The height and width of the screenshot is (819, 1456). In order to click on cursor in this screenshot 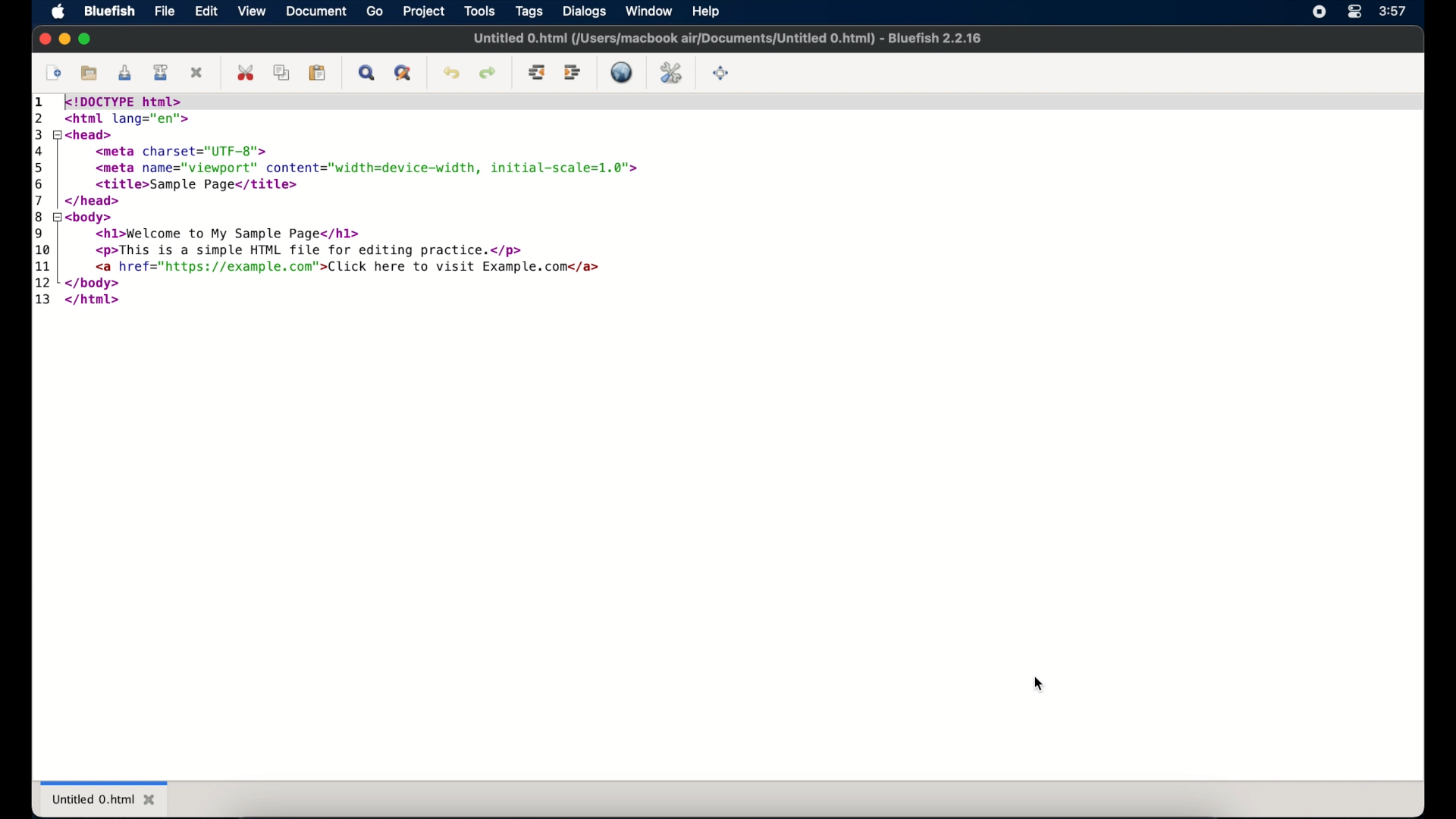, I will do `click(1040, 684)`.